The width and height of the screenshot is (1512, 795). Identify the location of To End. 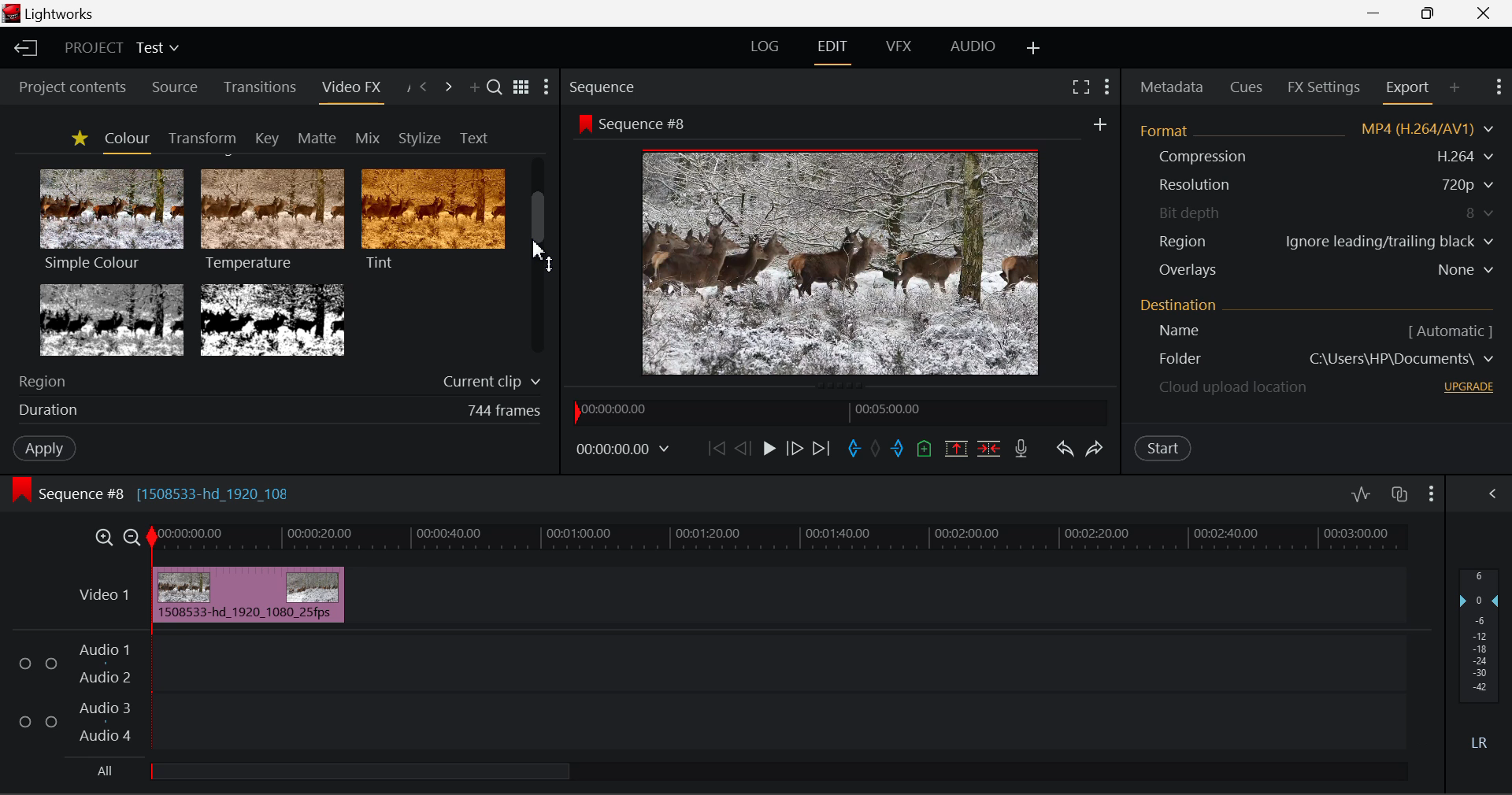
(825, 449).